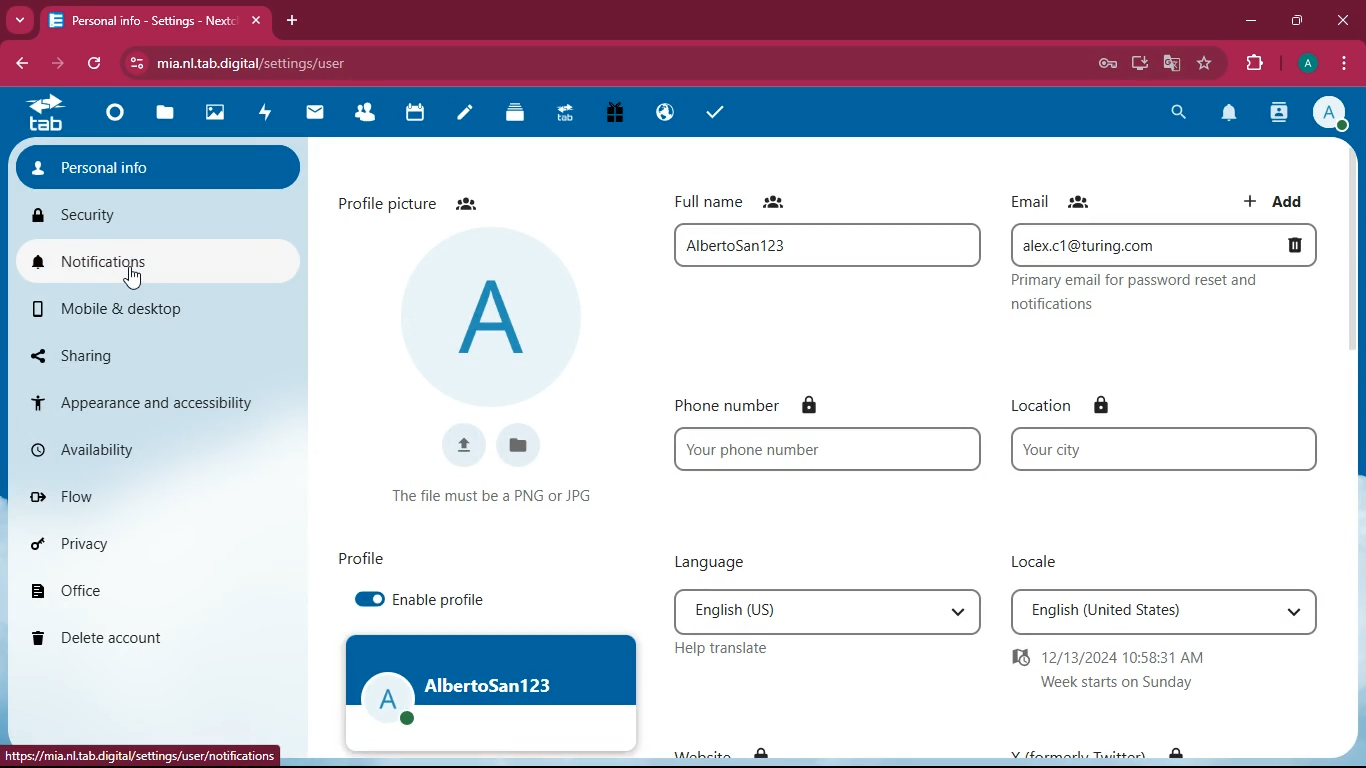  What do you see at coordinates (828, 449) in the screenshot?
I see `Your phone number` at bounding box center [828, 449].